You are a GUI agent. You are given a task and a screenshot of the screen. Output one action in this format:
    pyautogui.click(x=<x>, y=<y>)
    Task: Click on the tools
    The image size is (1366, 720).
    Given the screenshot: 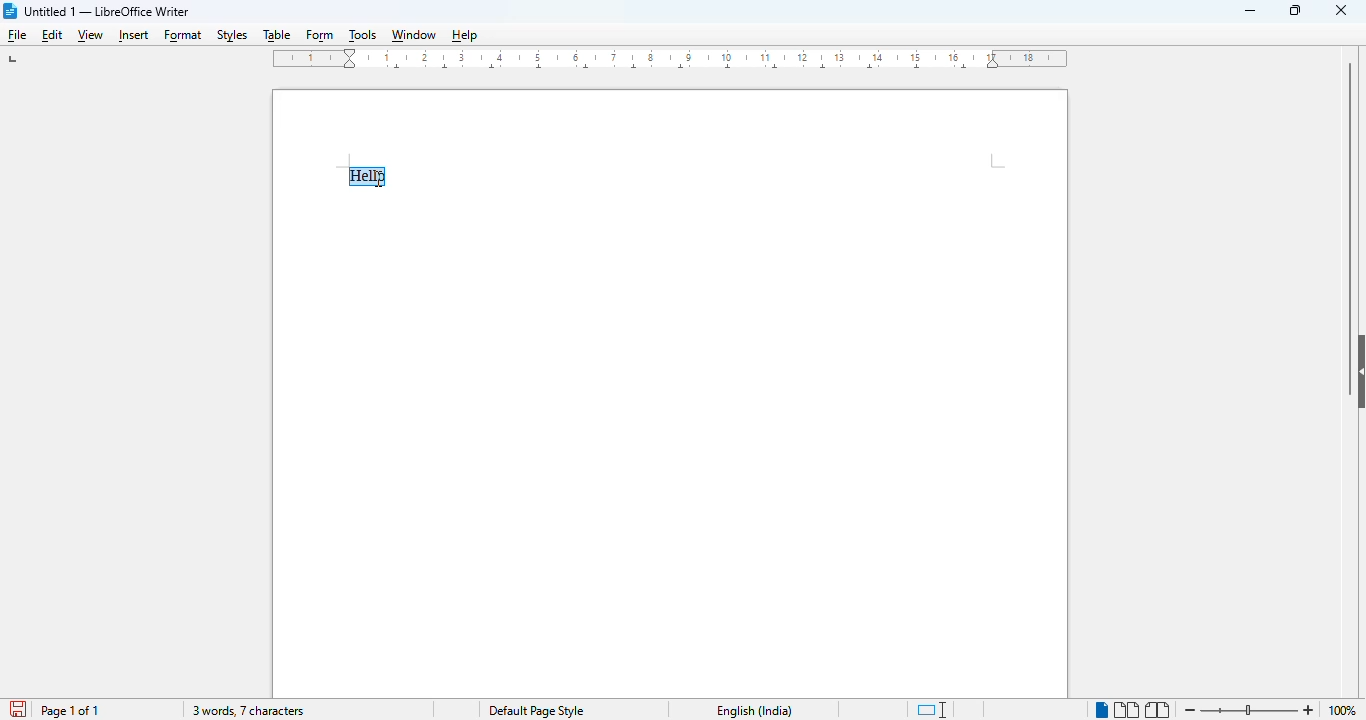 What is the action you would take?
    pyautogui.click(x=363, y=35)
    